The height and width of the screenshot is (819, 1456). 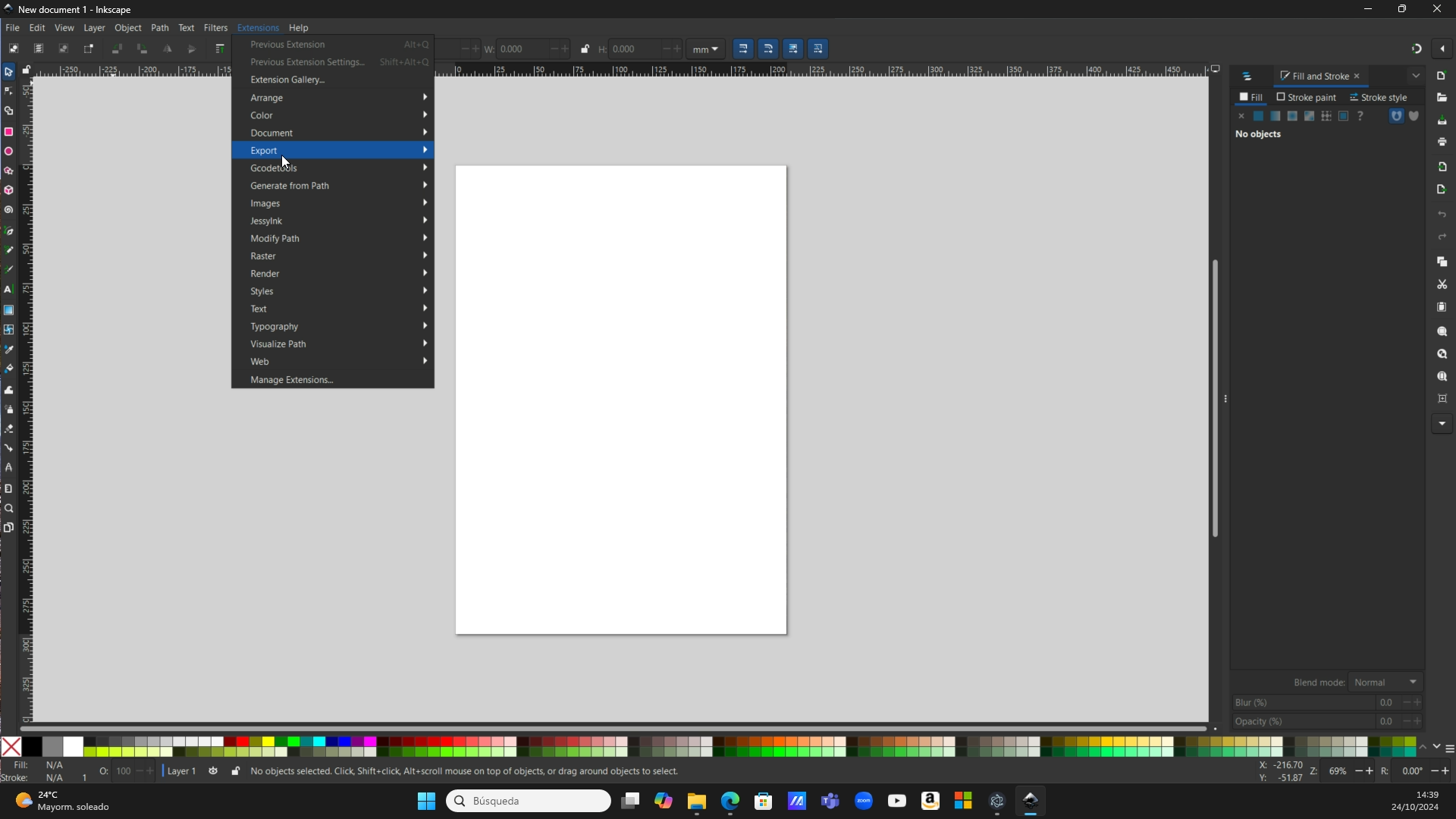 I want to click on Box, so click(x=1405, y=9).